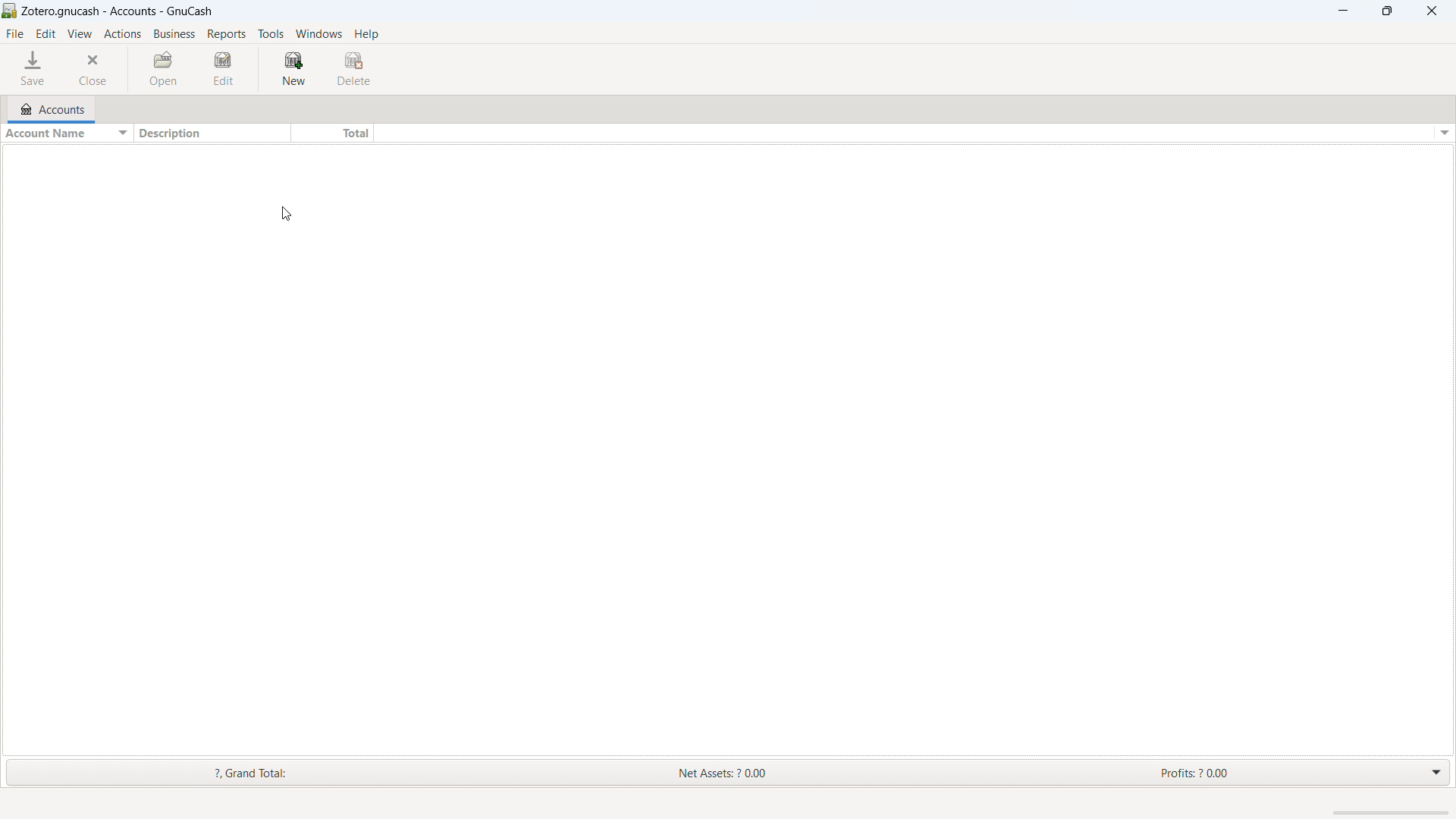  What do you see at coordinates (166, 69) in the screenshot?
I see `open` at bounding box center [166, 69].